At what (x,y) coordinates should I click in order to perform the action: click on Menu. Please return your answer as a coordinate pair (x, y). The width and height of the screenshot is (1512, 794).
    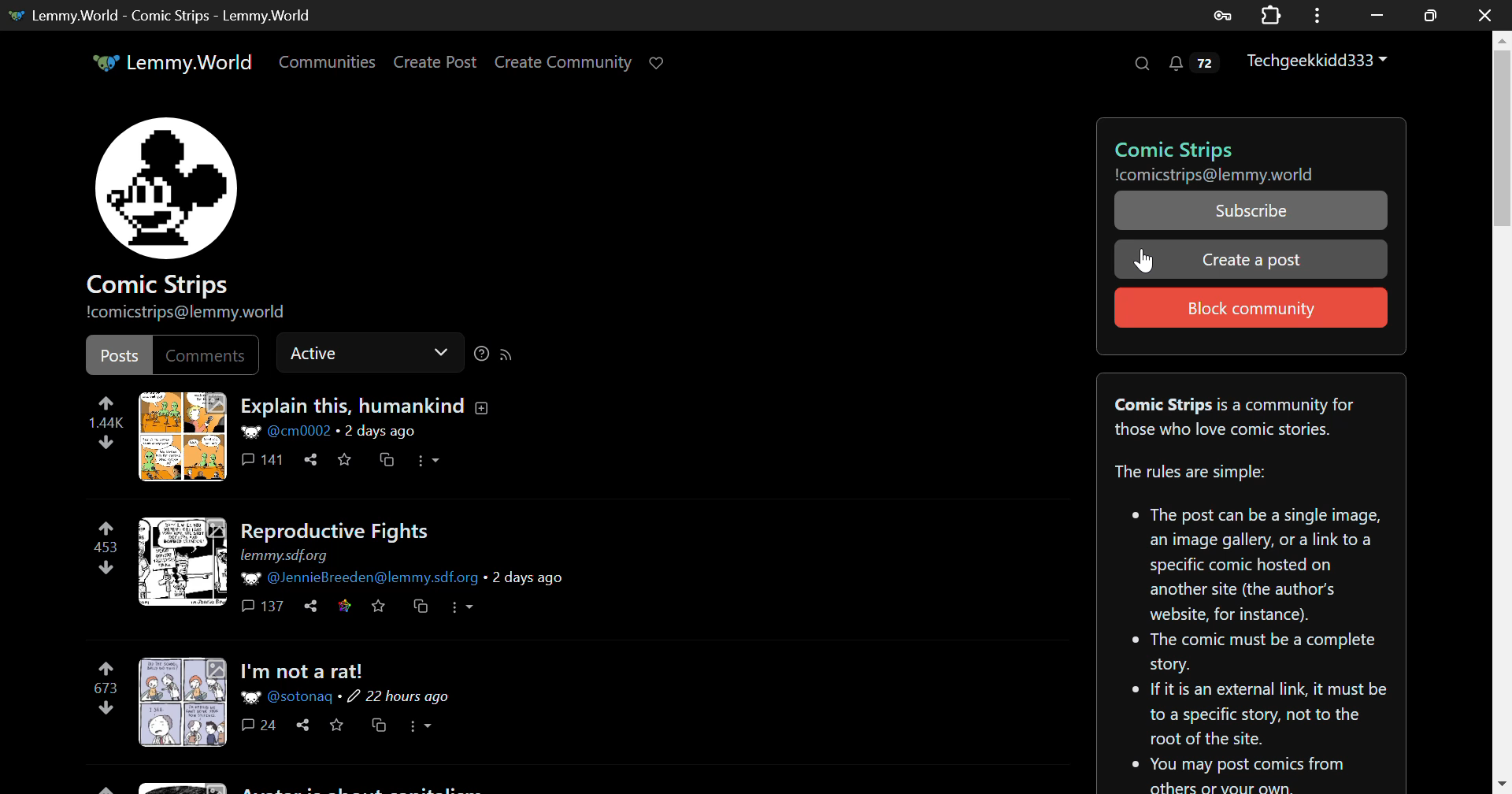
    Looking at the image, I should click on (1322, 14).